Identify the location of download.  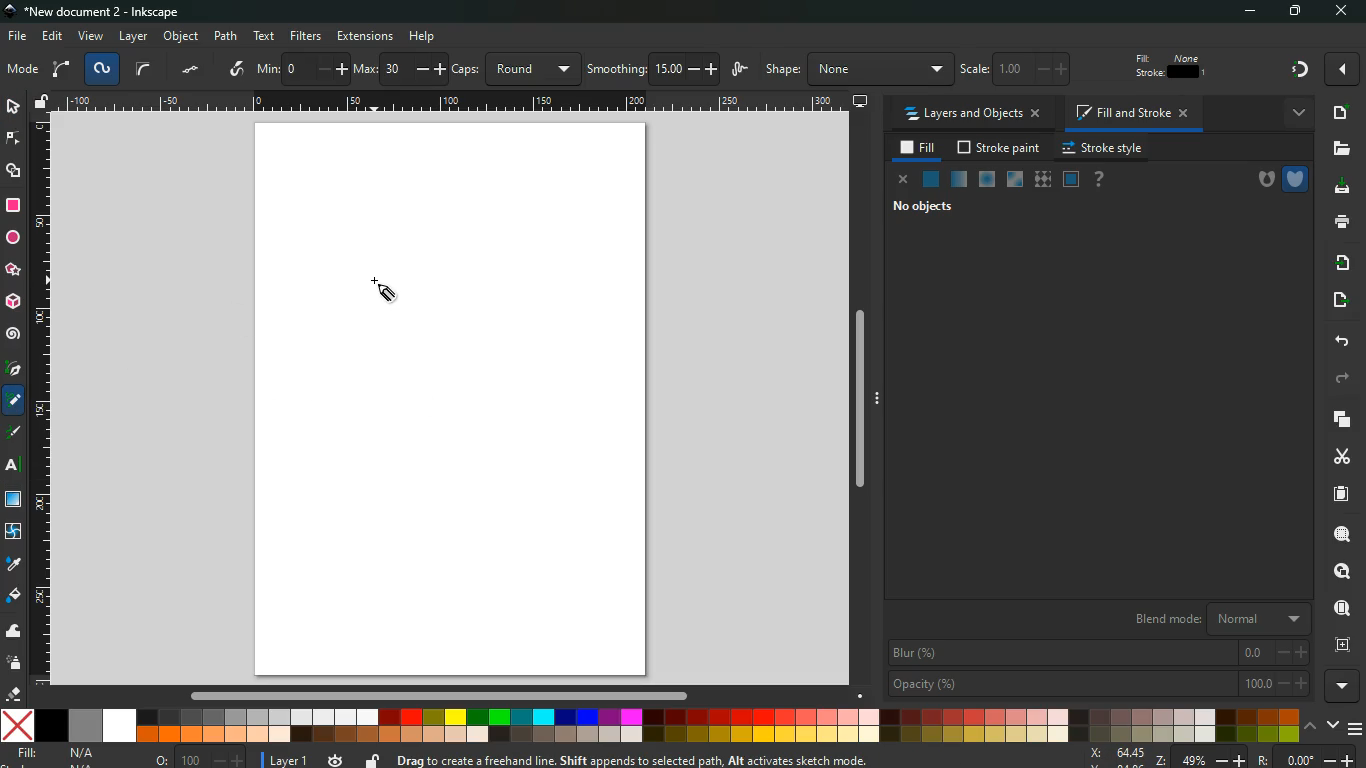
(1337, 188).